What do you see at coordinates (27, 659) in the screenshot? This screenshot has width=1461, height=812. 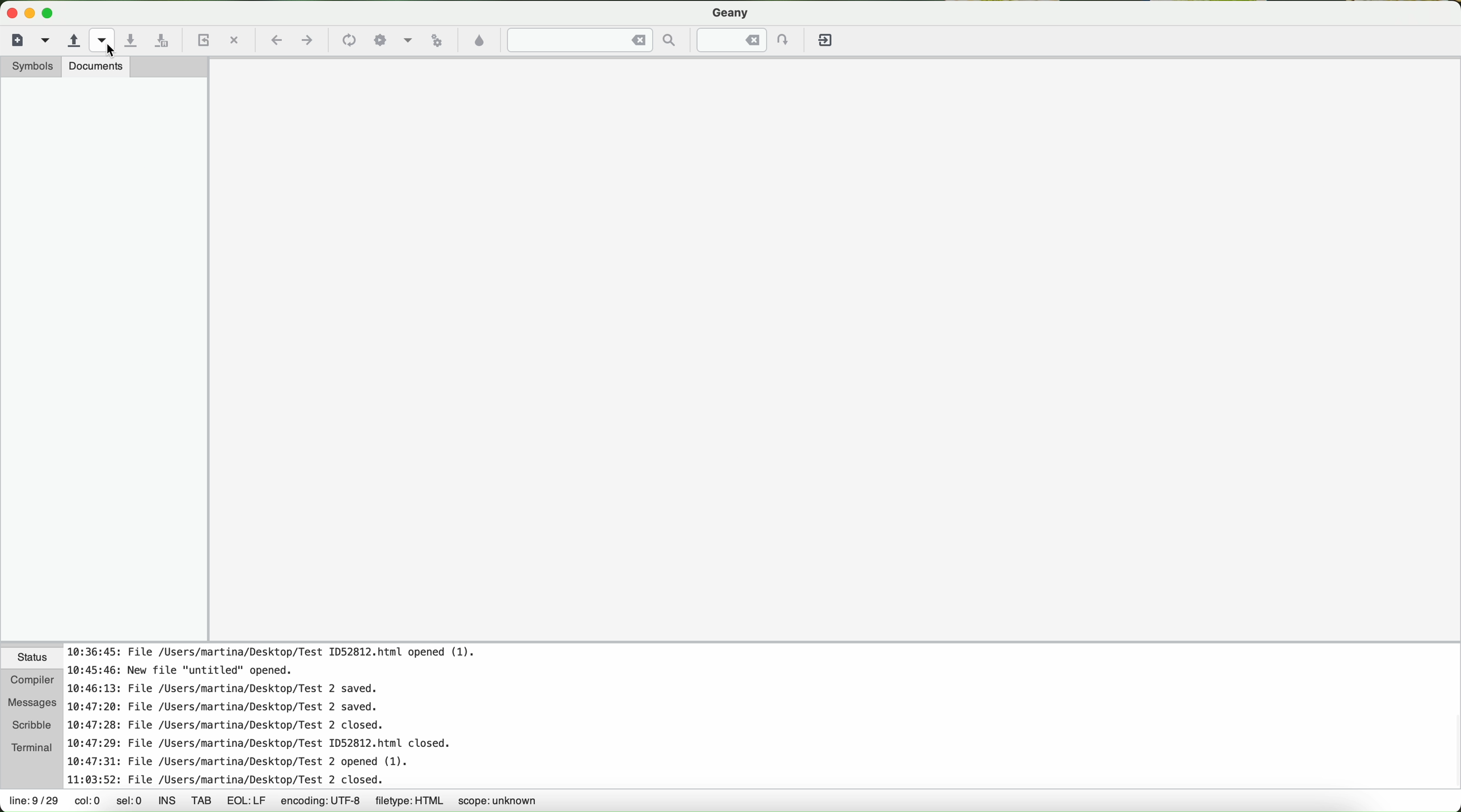 I see `status` at bounding box center [27, 659].